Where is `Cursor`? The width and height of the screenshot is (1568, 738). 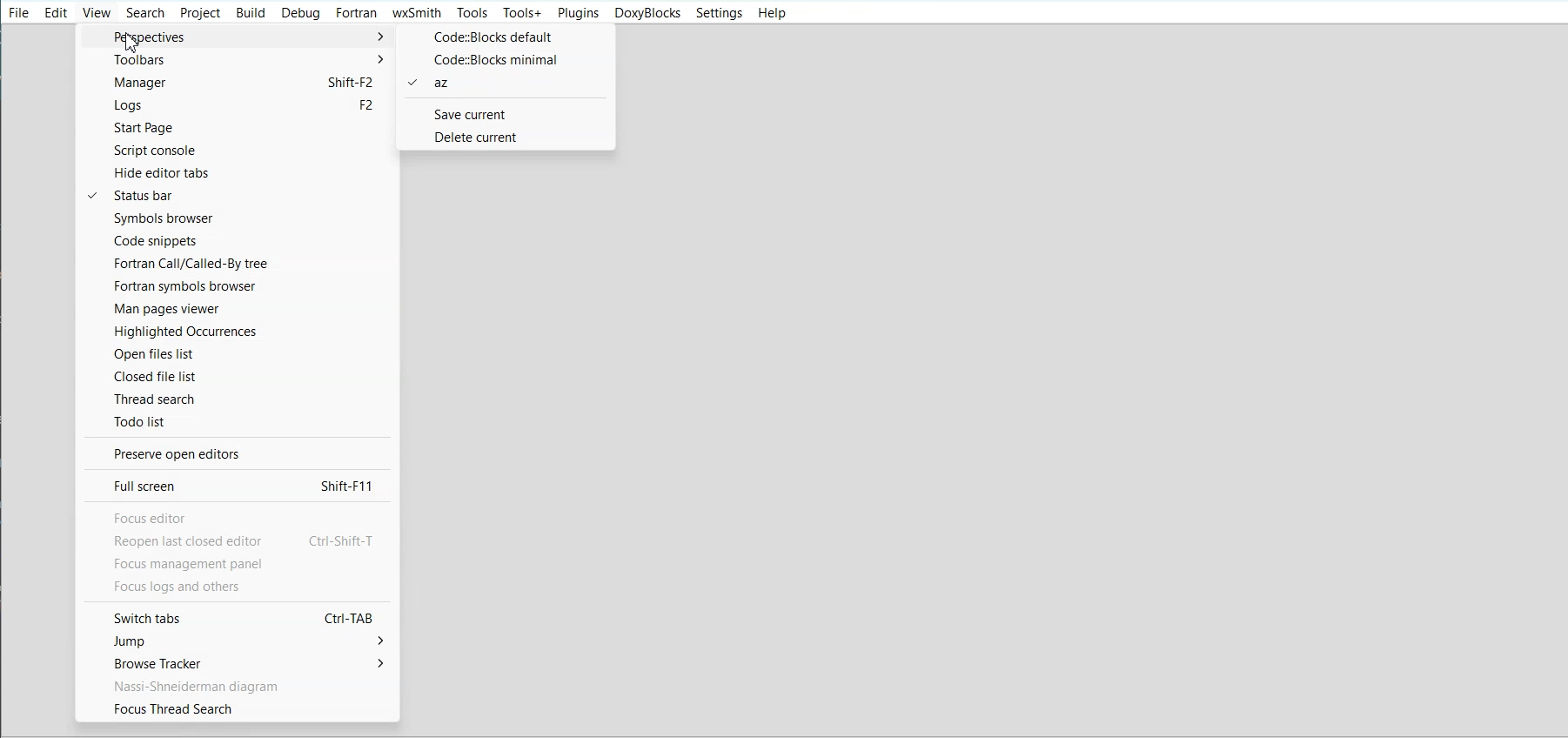
Cursor is located at coordinates (132, 44).